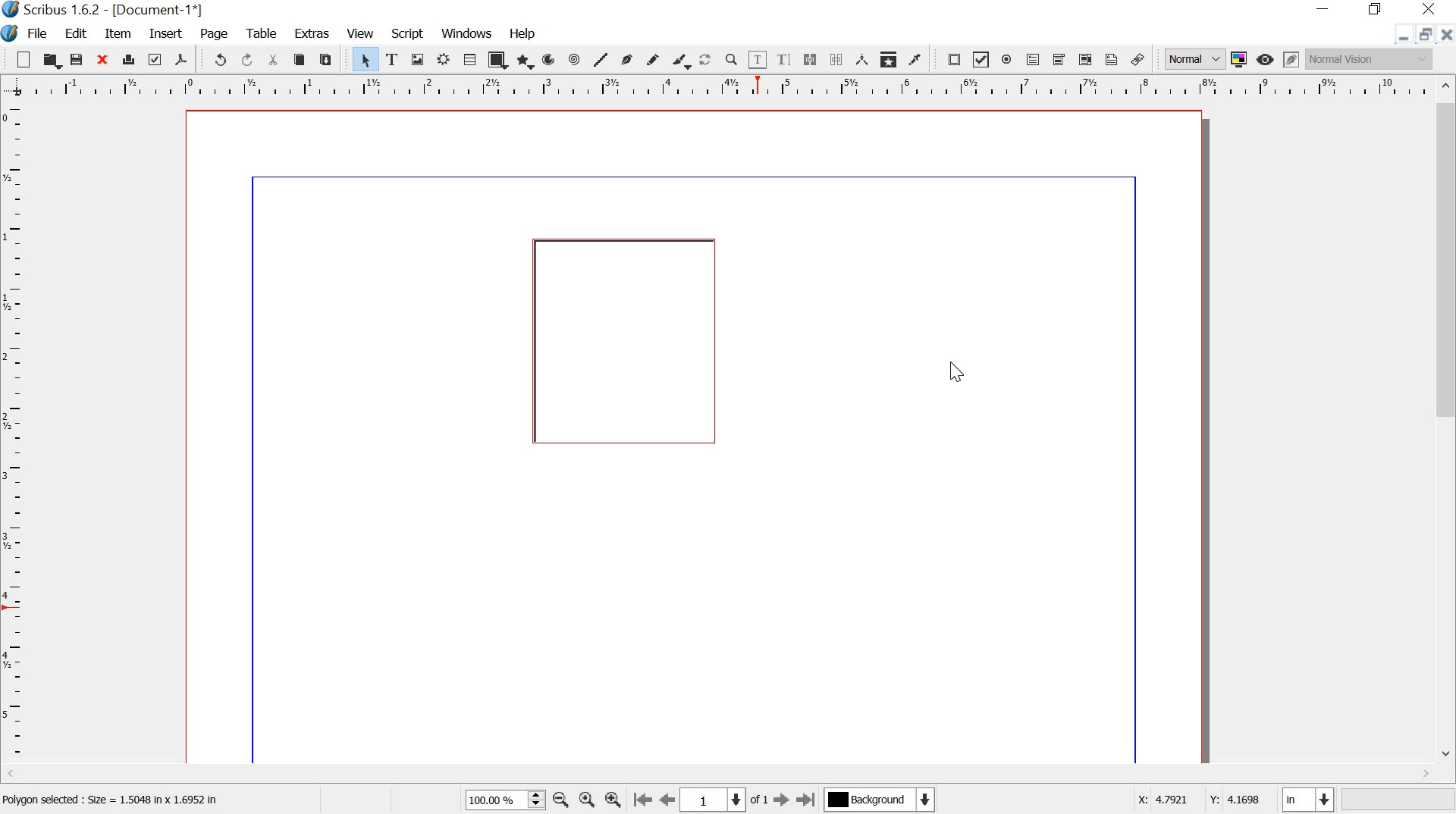  What do you see at coordinates (668, 800) in the screenshot?
I see `go to previous page` at bounding box center [668, 800].